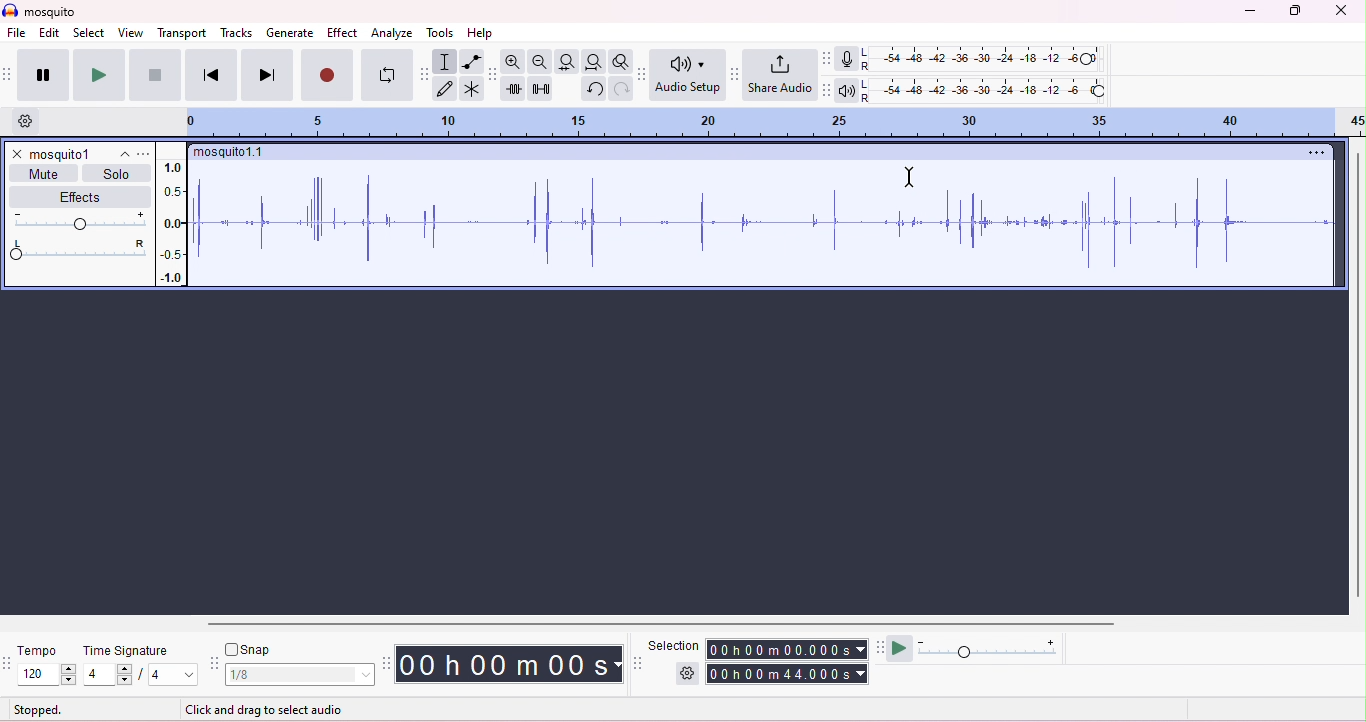 The height and width of the screenshot is (722, 1366). Describe the element at coordinates (130, 32) in the screenshot. I see `view` at that location.